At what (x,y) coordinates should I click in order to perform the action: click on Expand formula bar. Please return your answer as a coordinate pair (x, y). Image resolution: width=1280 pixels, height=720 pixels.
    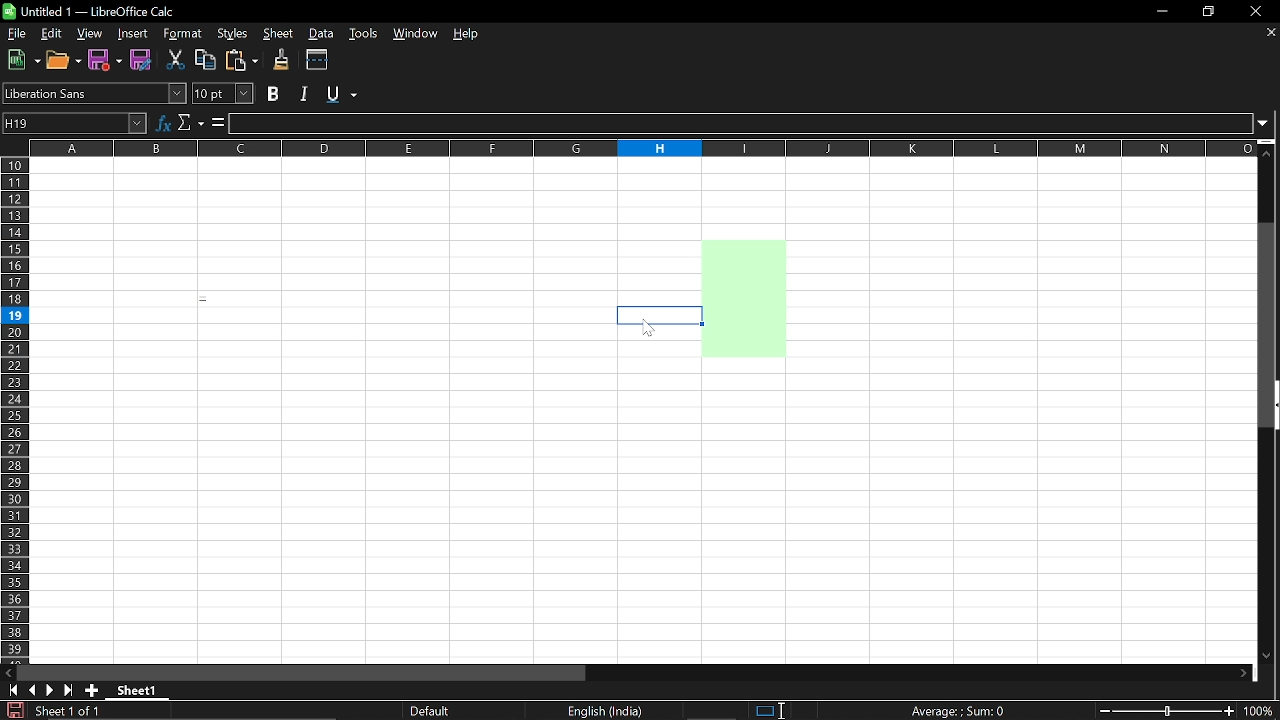
    Looking at the image, I should click on (1269, 126).